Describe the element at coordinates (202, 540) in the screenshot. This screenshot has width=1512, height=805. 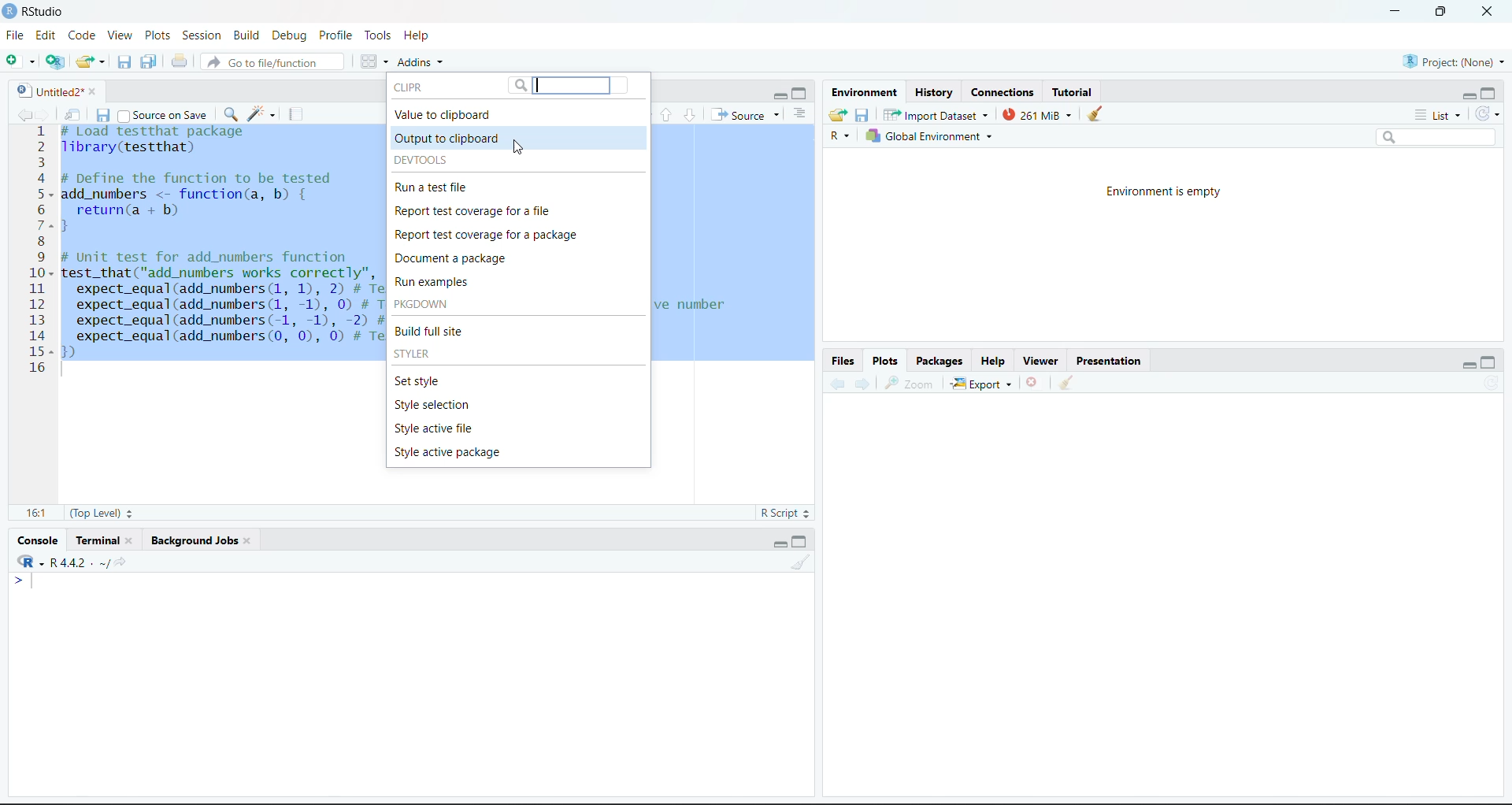
I see `Background jobs` at that location.